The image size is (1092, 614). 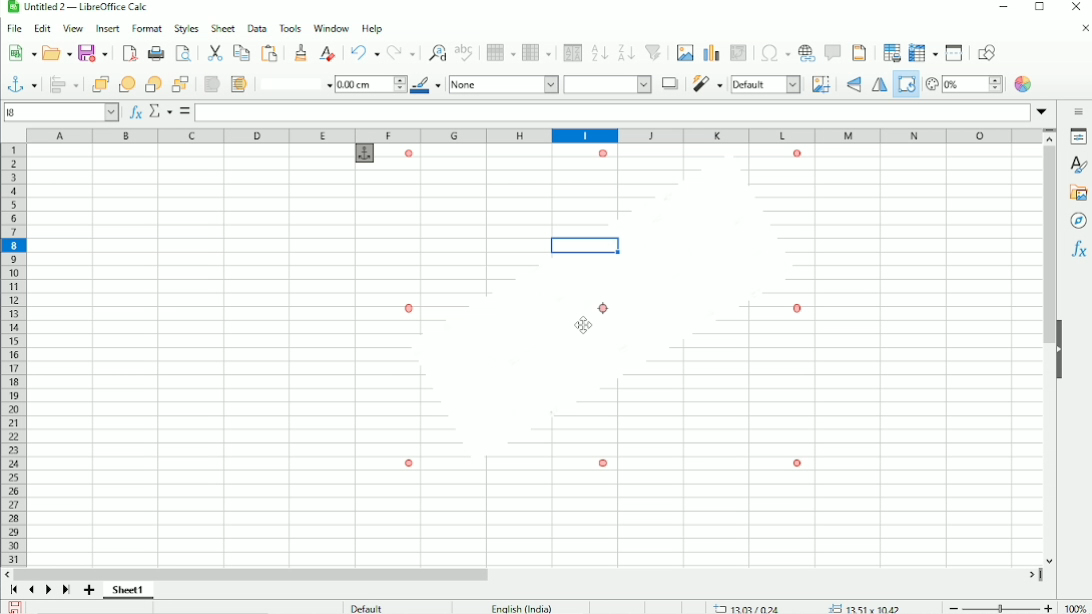 I want to click on English (India), so click(x=520, y=607).